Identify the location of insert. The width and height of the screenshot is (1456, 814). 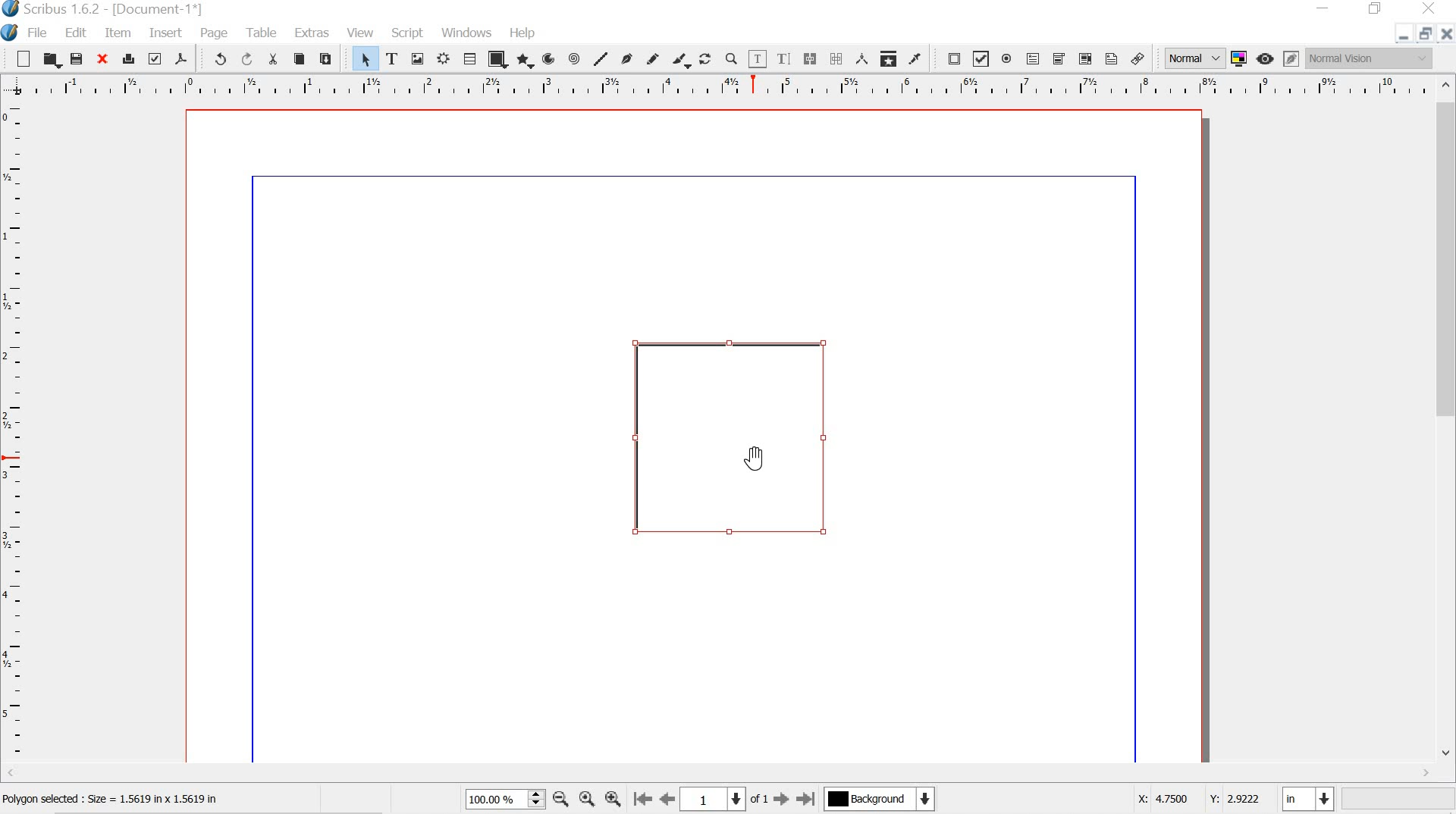
(164, 34).